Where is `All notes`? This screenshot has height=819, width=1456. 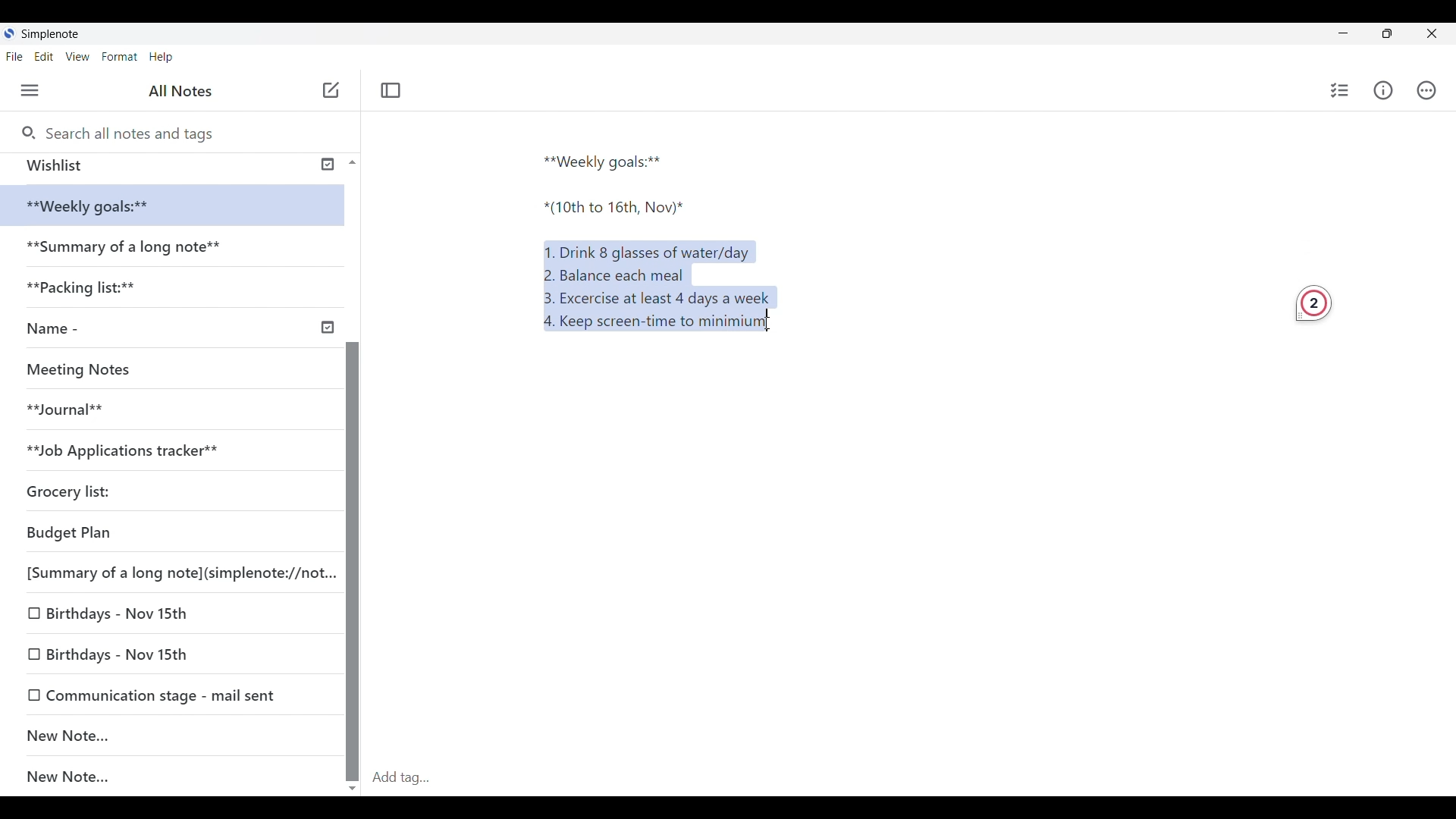 All notes is located at coordinates (184, 91).